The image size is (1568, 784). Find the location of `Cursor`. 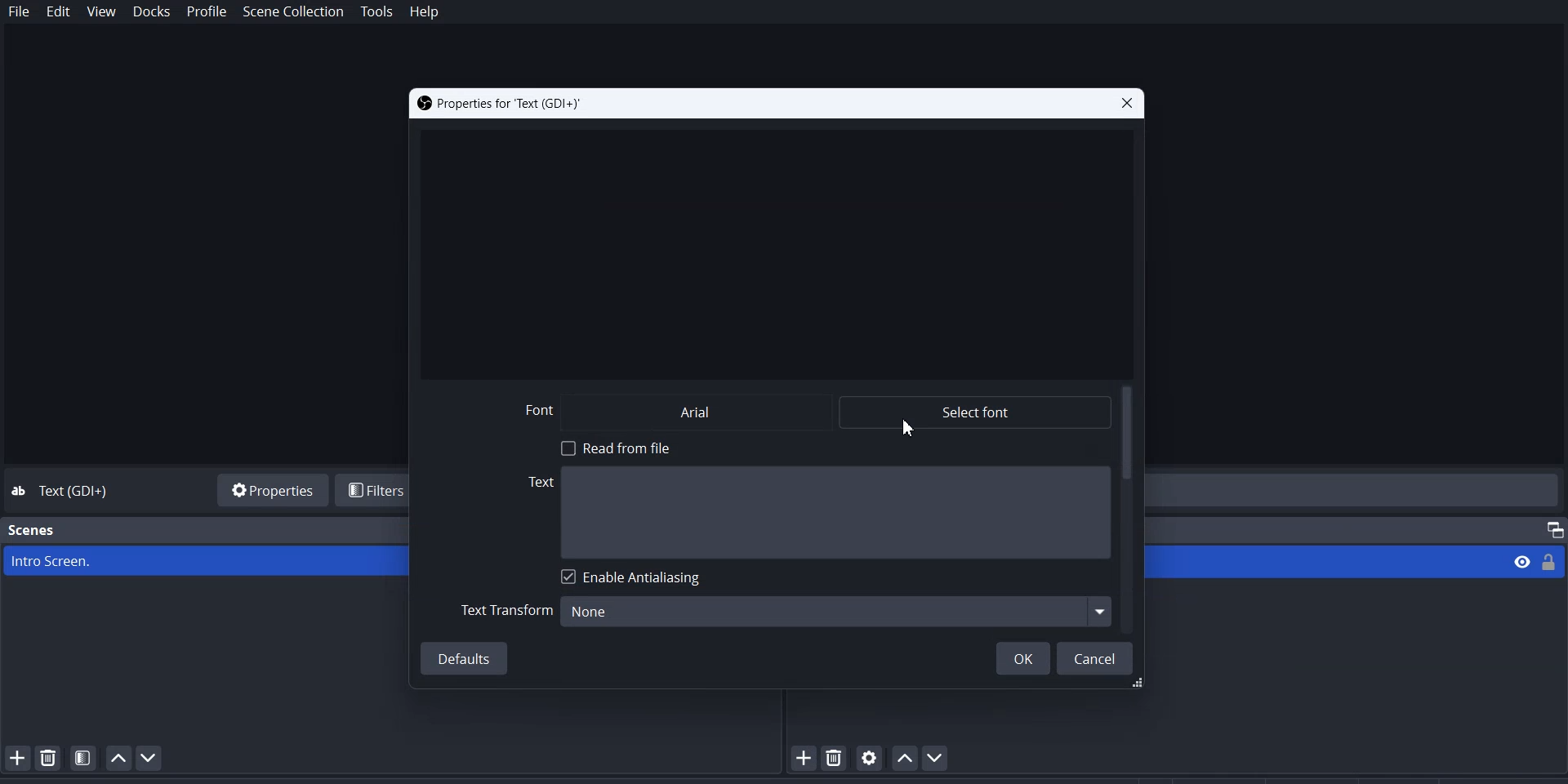

Cursor is located at coordinates (909, 429).